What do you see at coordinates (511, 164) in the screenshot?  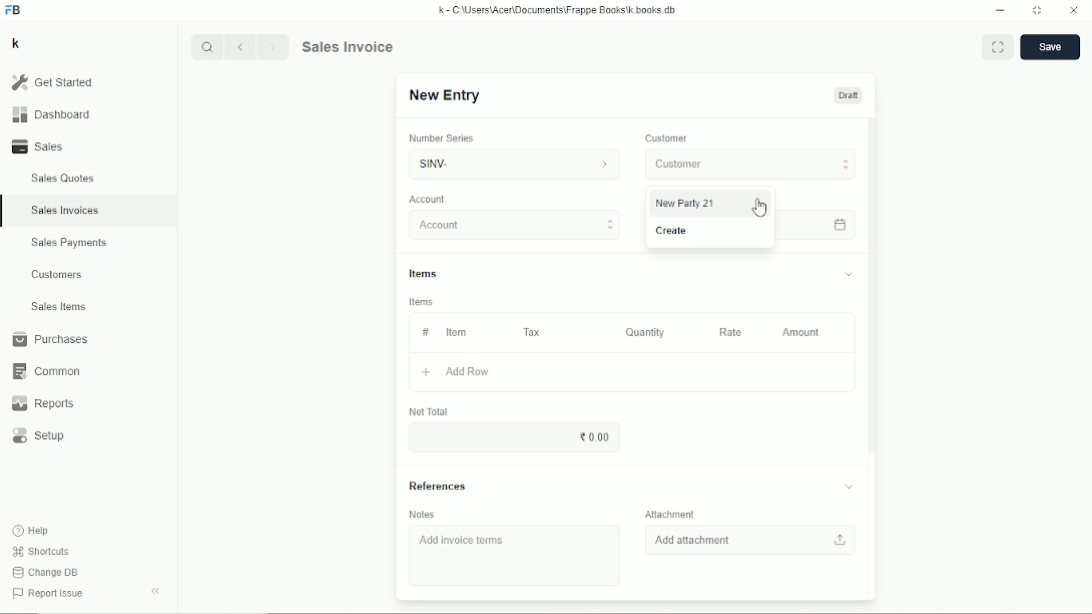 I see `SINV` at bounding box center [511, 164].